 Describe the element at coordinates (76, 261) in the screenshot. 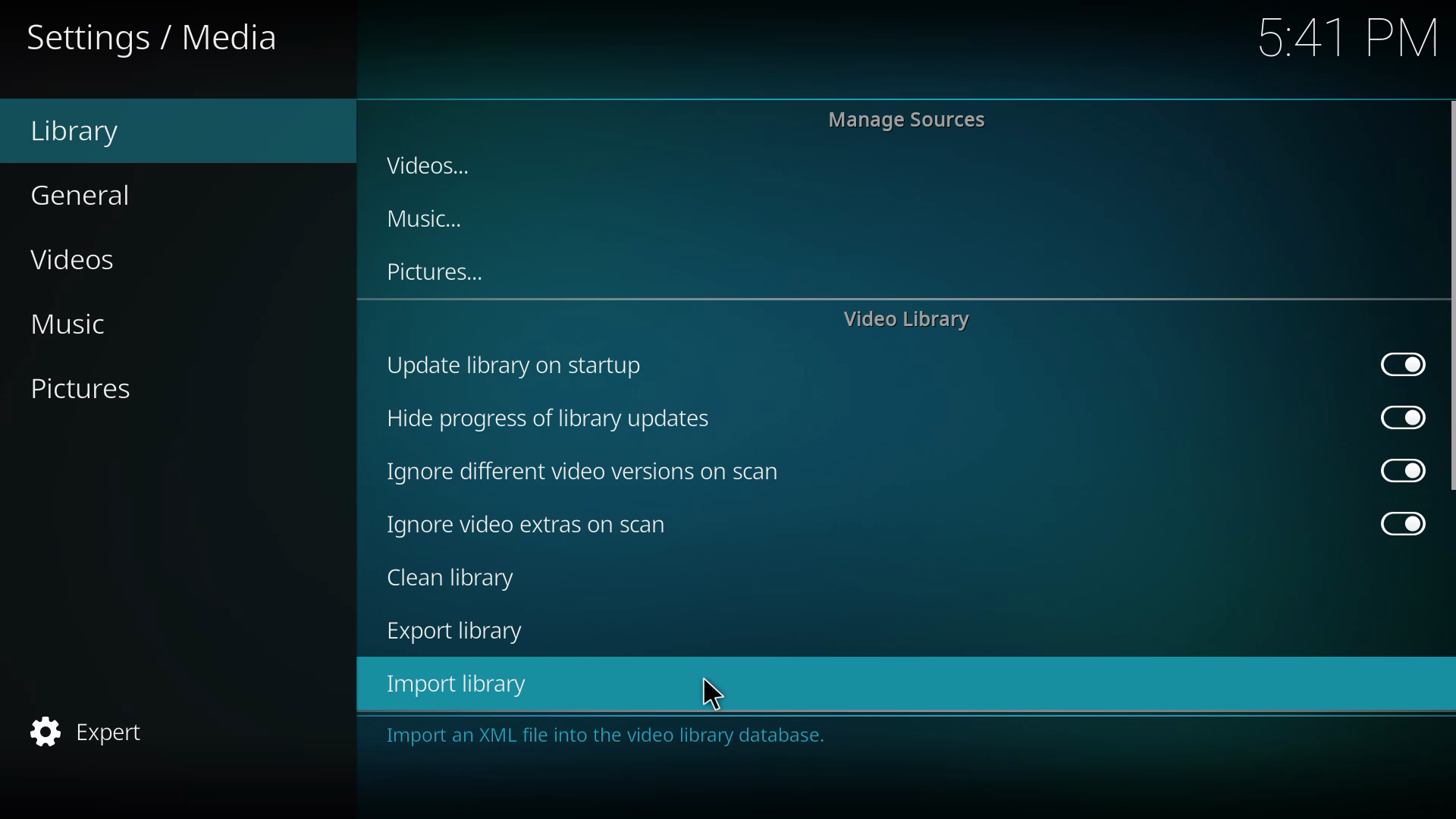

I see `videos` at that location.